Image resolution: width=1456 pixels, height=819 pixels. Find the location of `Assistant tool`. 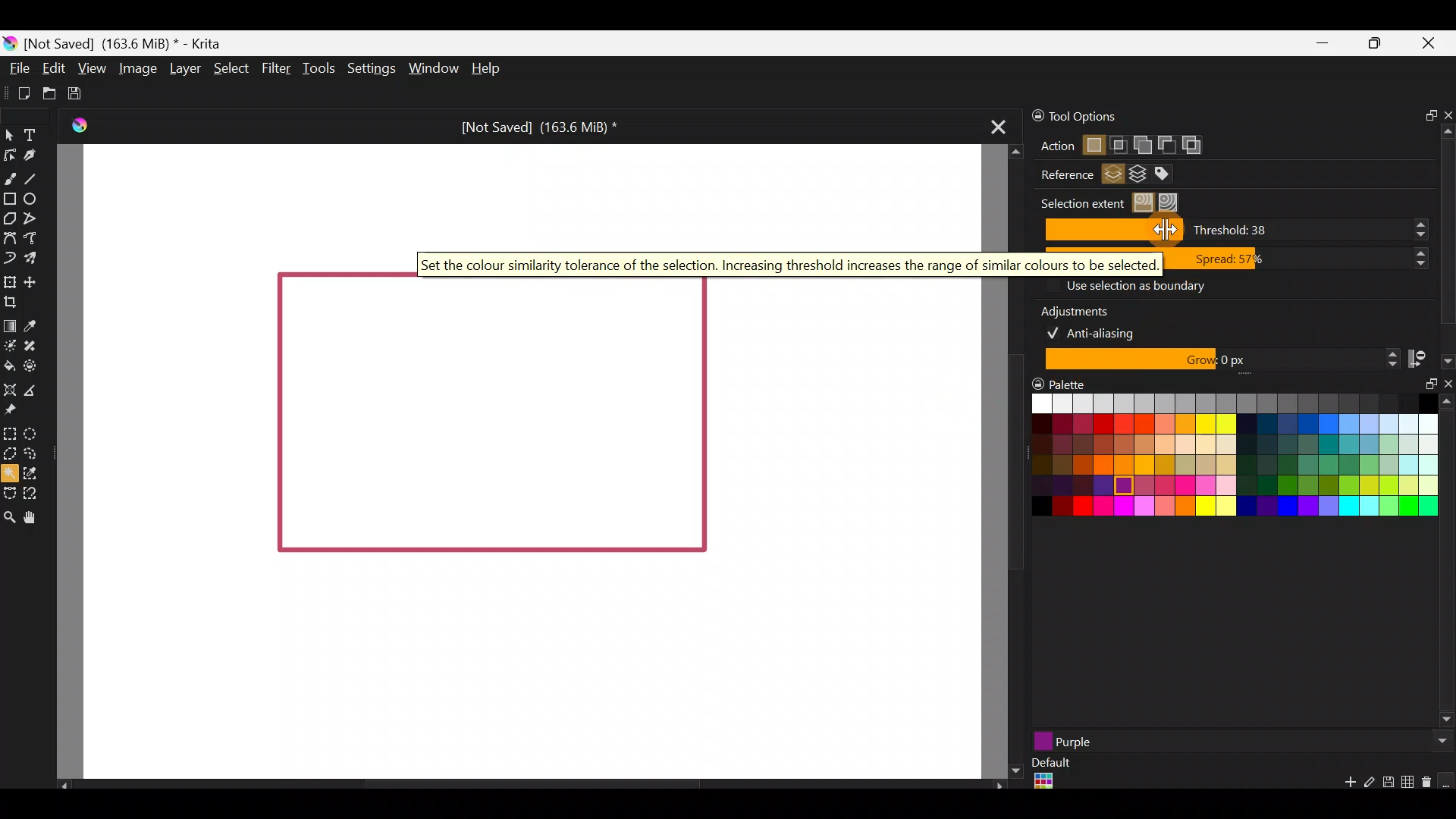

Assistant tool is located at coordinates (10, 388).